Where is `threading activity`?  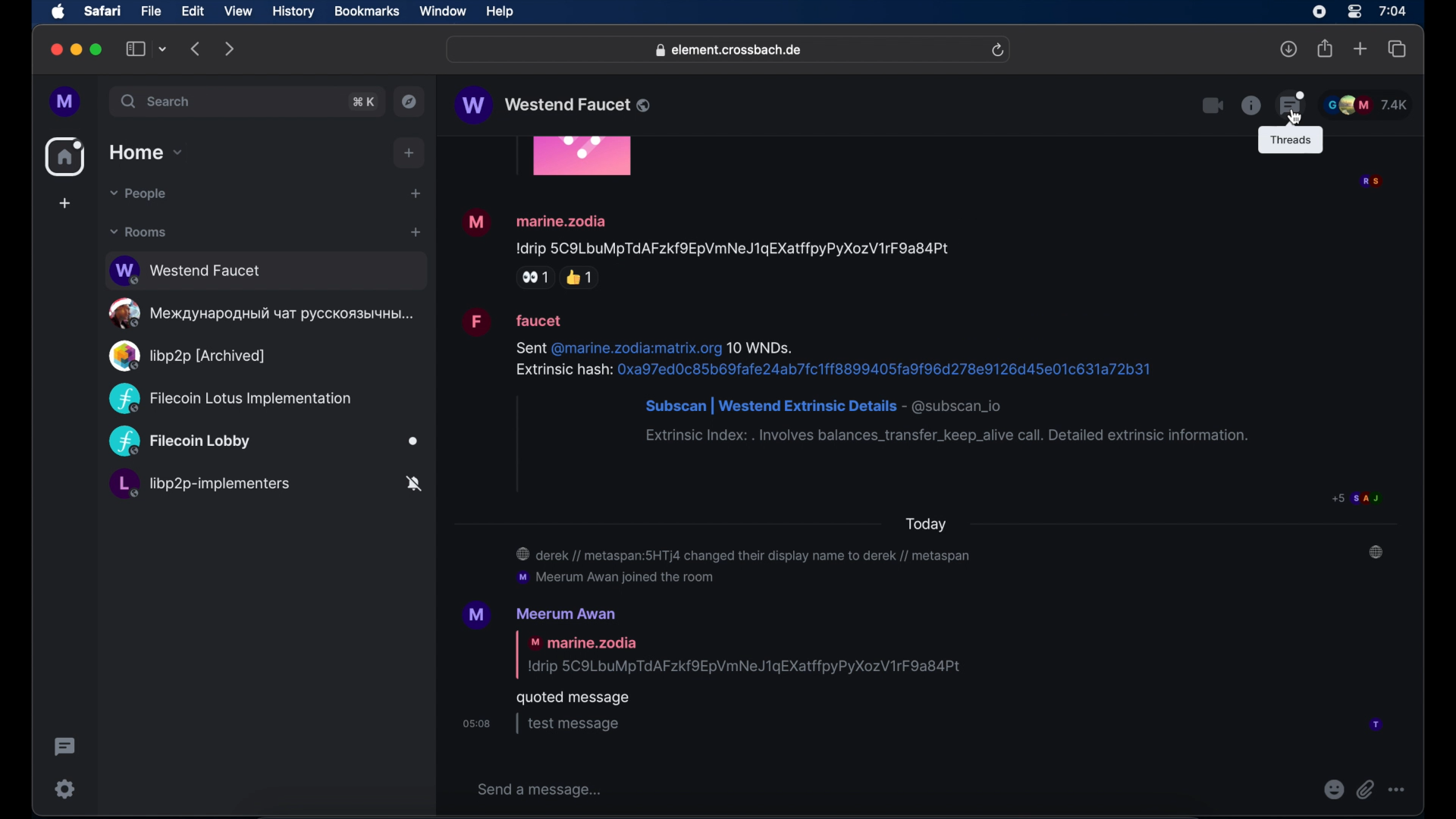 threading activity is located at coordinates (65, 748).